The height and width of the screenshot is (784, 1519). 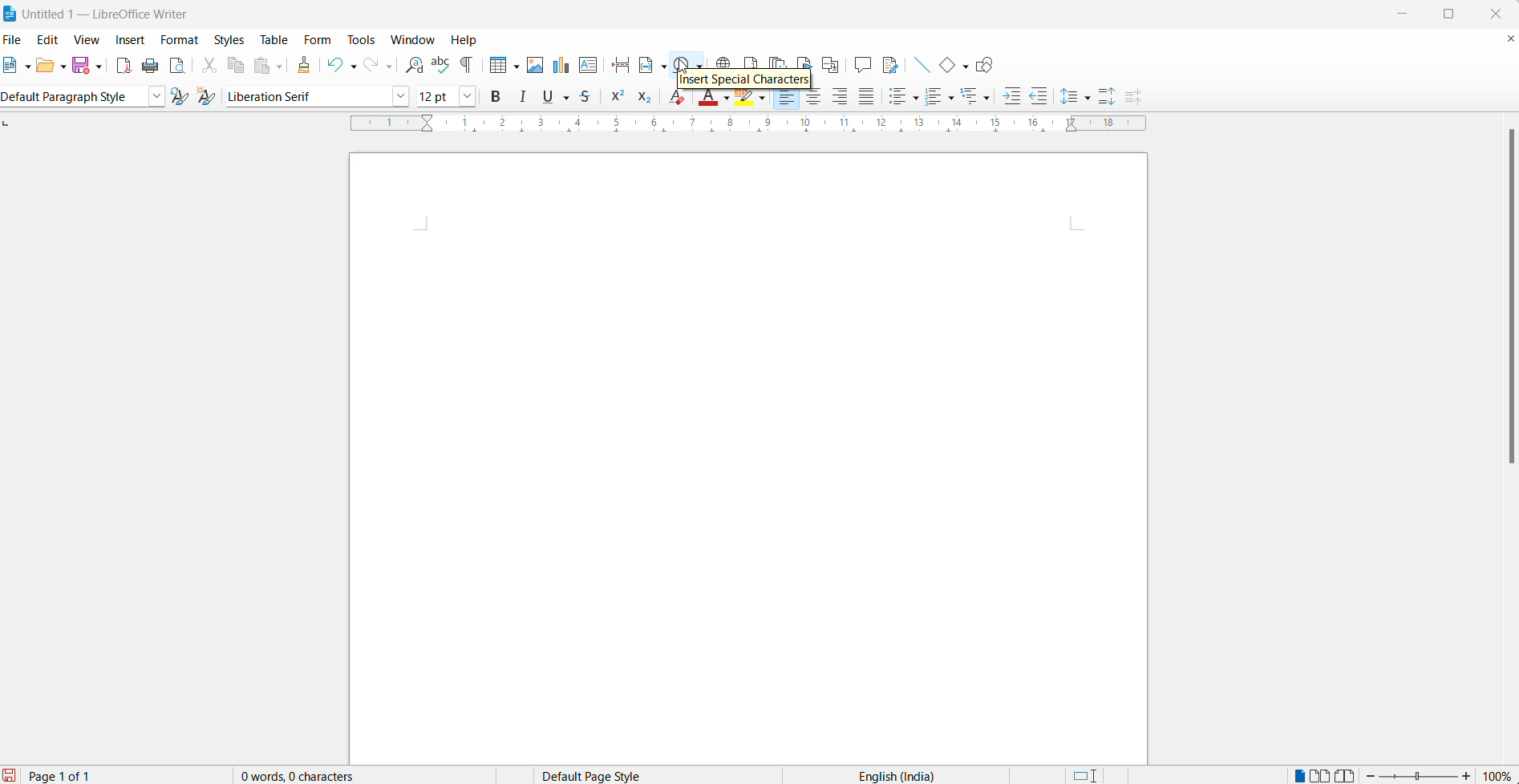 I want to click on export as pdf, so click(x=120, y=66).